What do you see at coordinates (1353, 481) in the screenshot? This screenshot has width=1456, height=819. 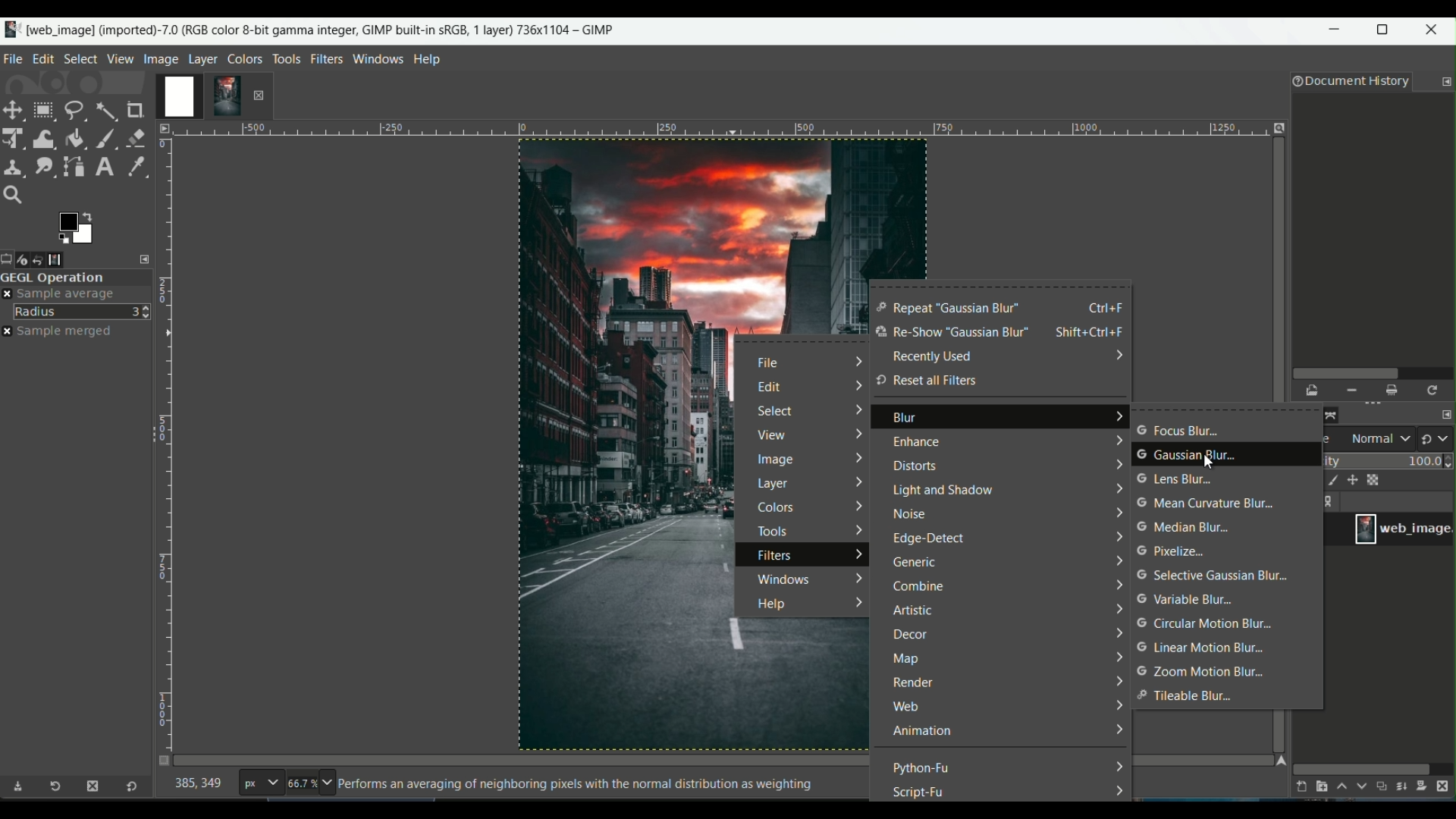 I see `lock size and position` at bounding box center [1353, 481].